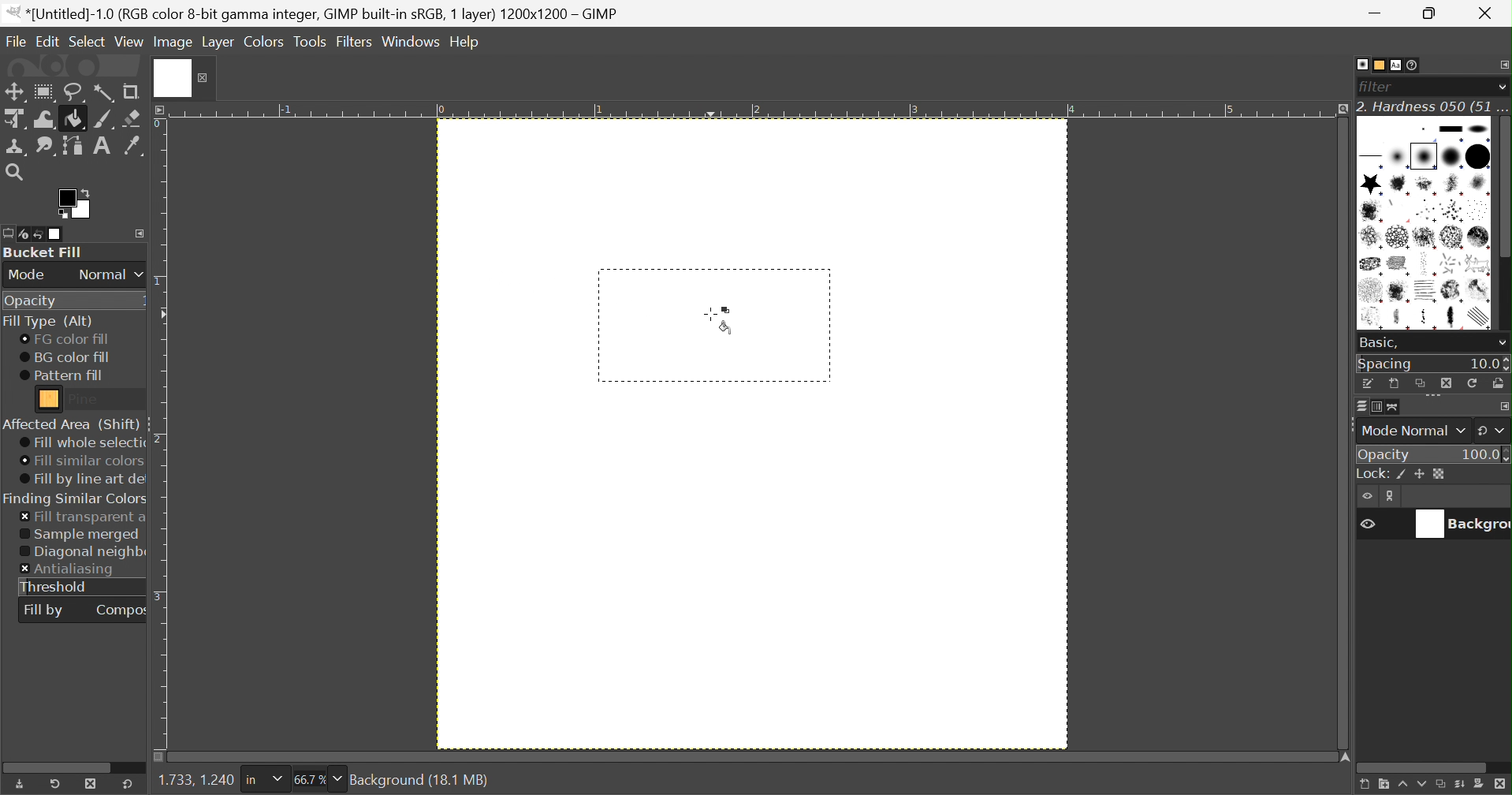 The image size is (1512, 795). Describe the element at coordinates (71, 424) in the screenshot. I see `Affected Area` at that location.